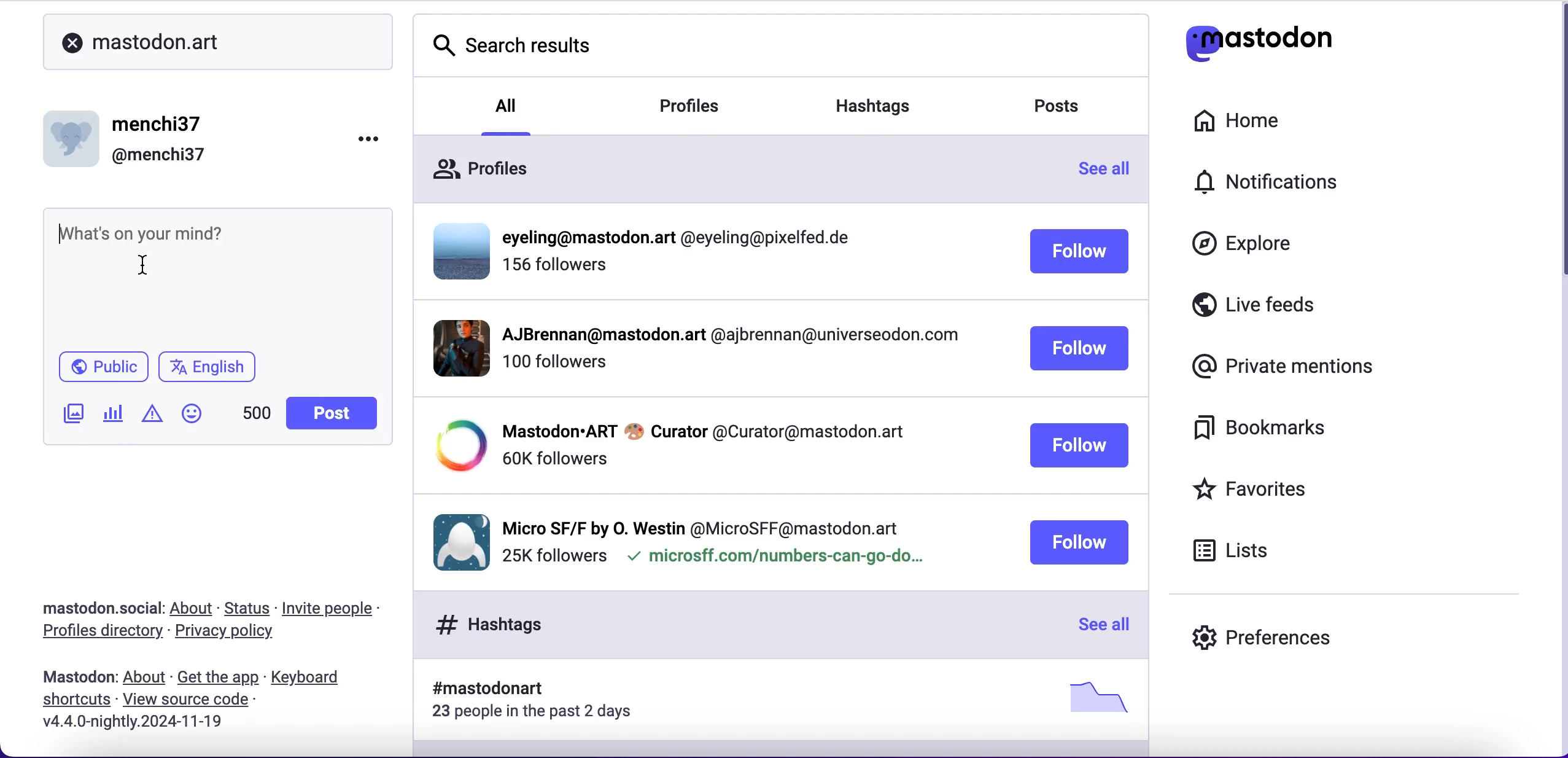 This screenshot has height=758, width=1568. I want to click on options, so click(359, 144).